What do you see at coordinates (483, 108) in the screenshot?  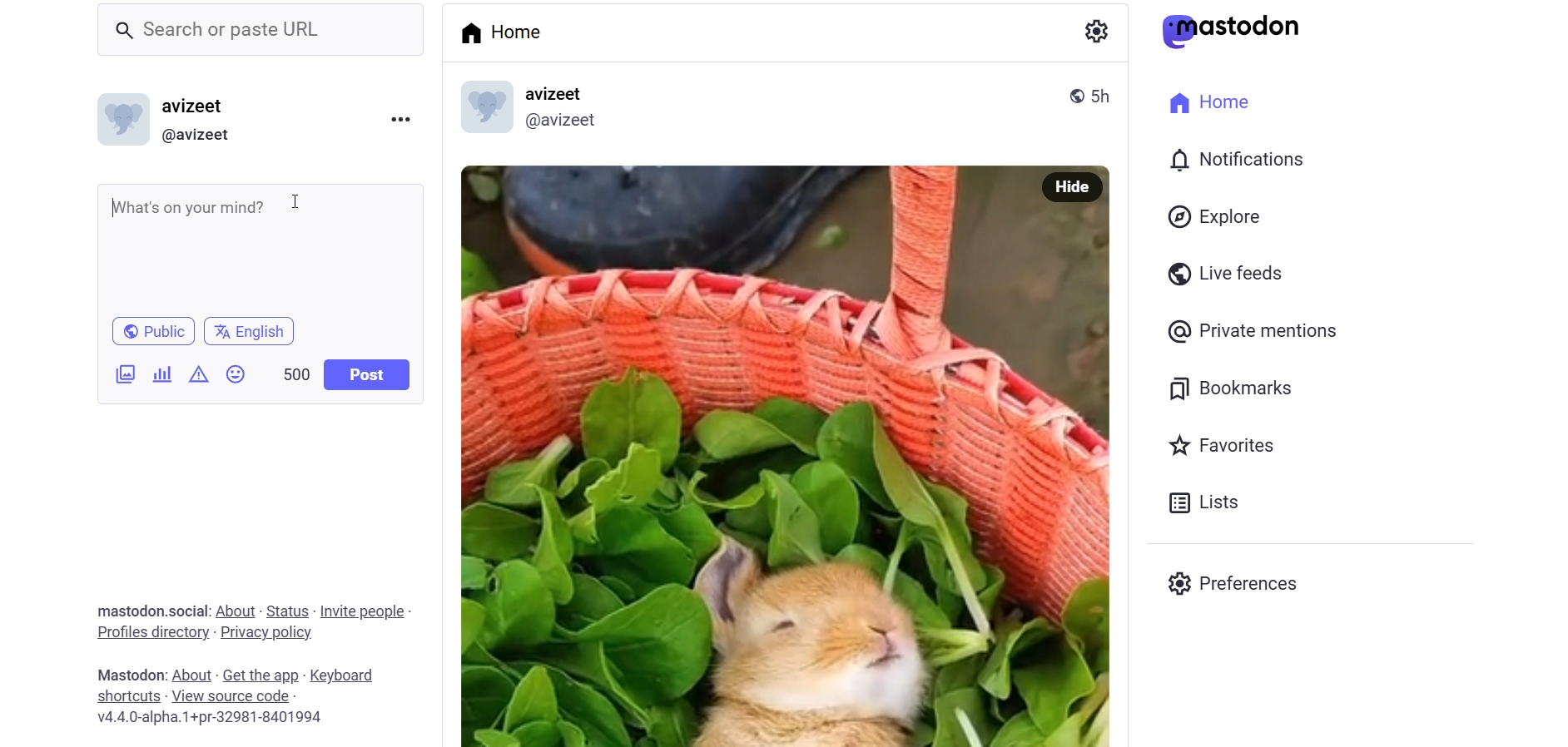 I see `display picture` at bounding box center [483, 108].